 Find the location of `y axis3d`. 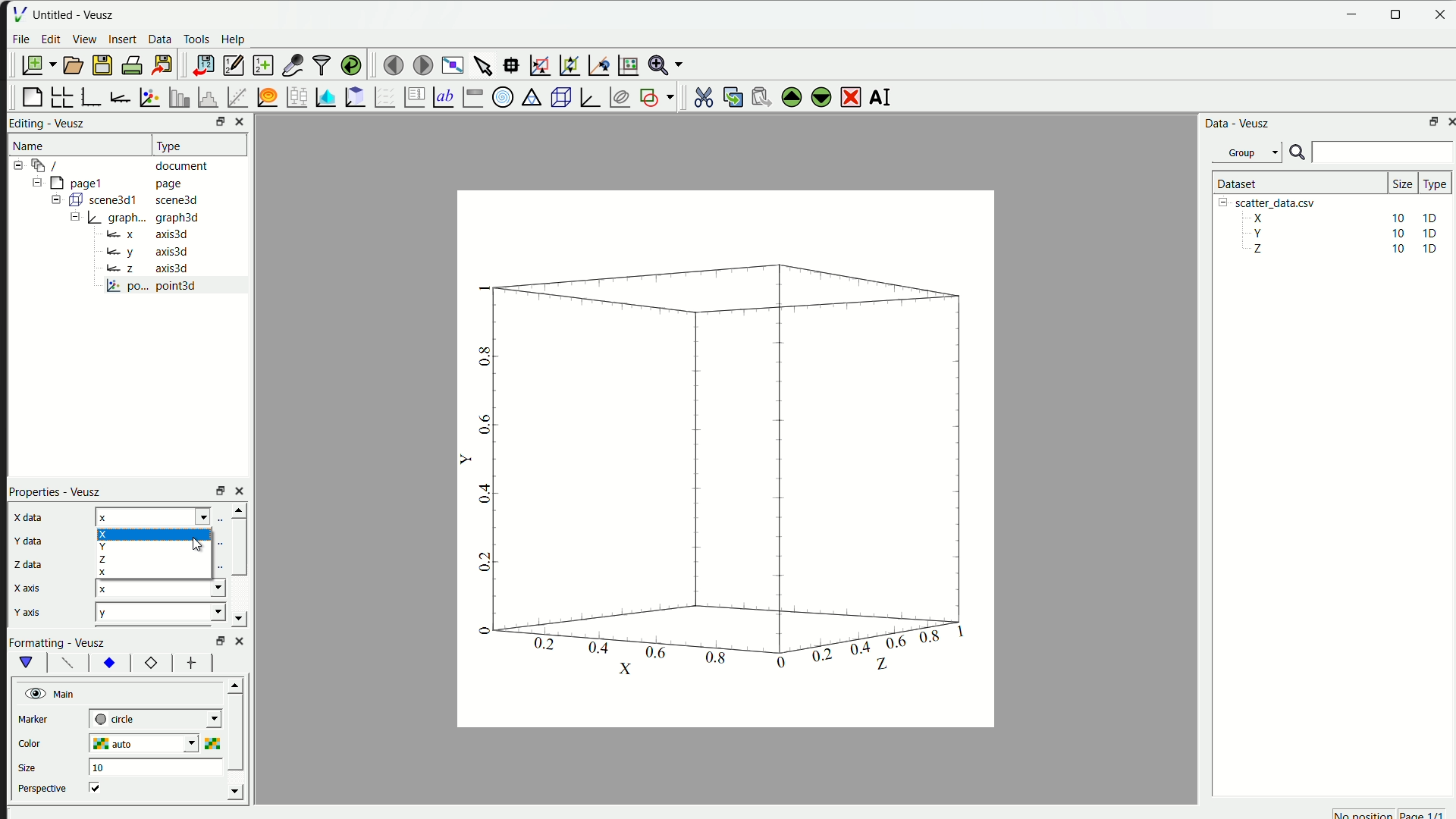

y axis3d is located at coordinates (146, 250).